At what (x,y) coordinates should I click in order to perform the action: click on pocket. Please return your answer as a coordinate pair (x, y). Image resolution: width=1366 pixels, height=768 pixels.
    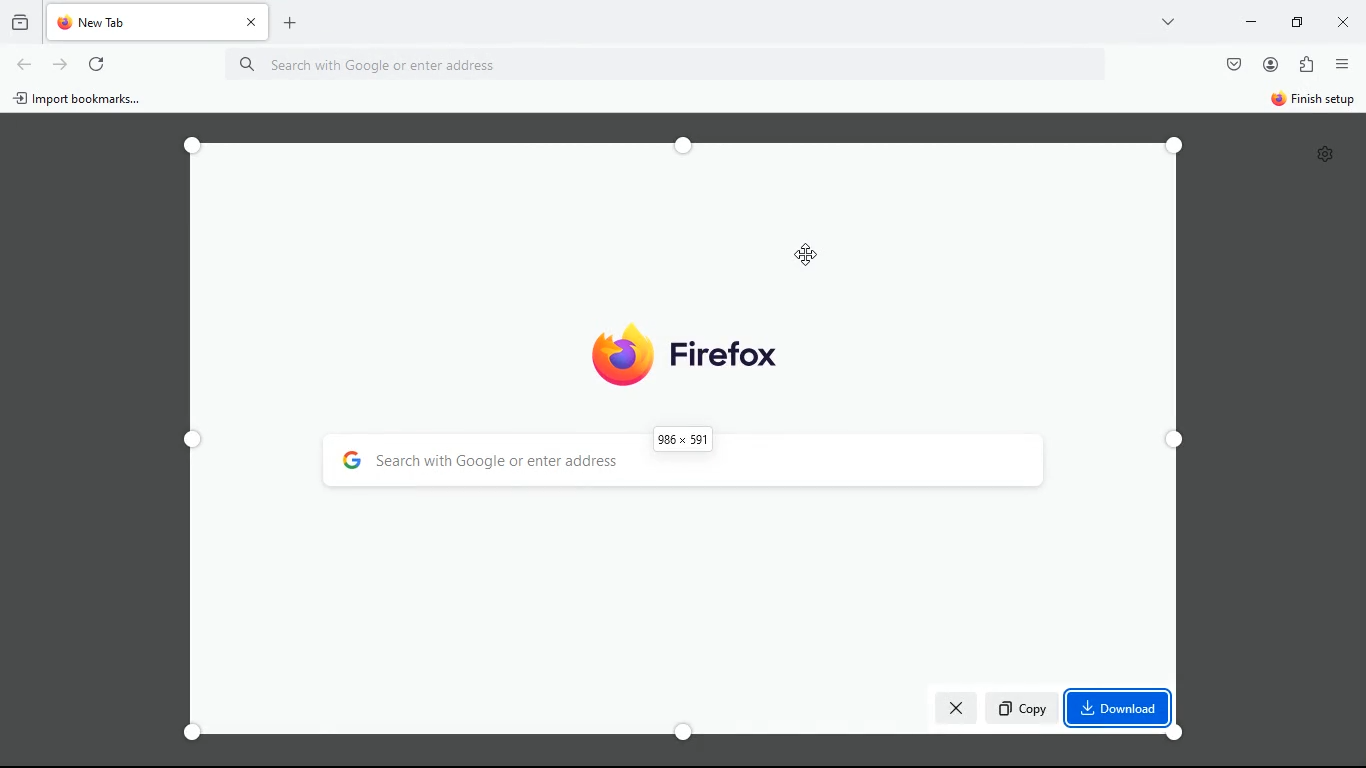
    Looking at the image, I should click on (1232, 66).